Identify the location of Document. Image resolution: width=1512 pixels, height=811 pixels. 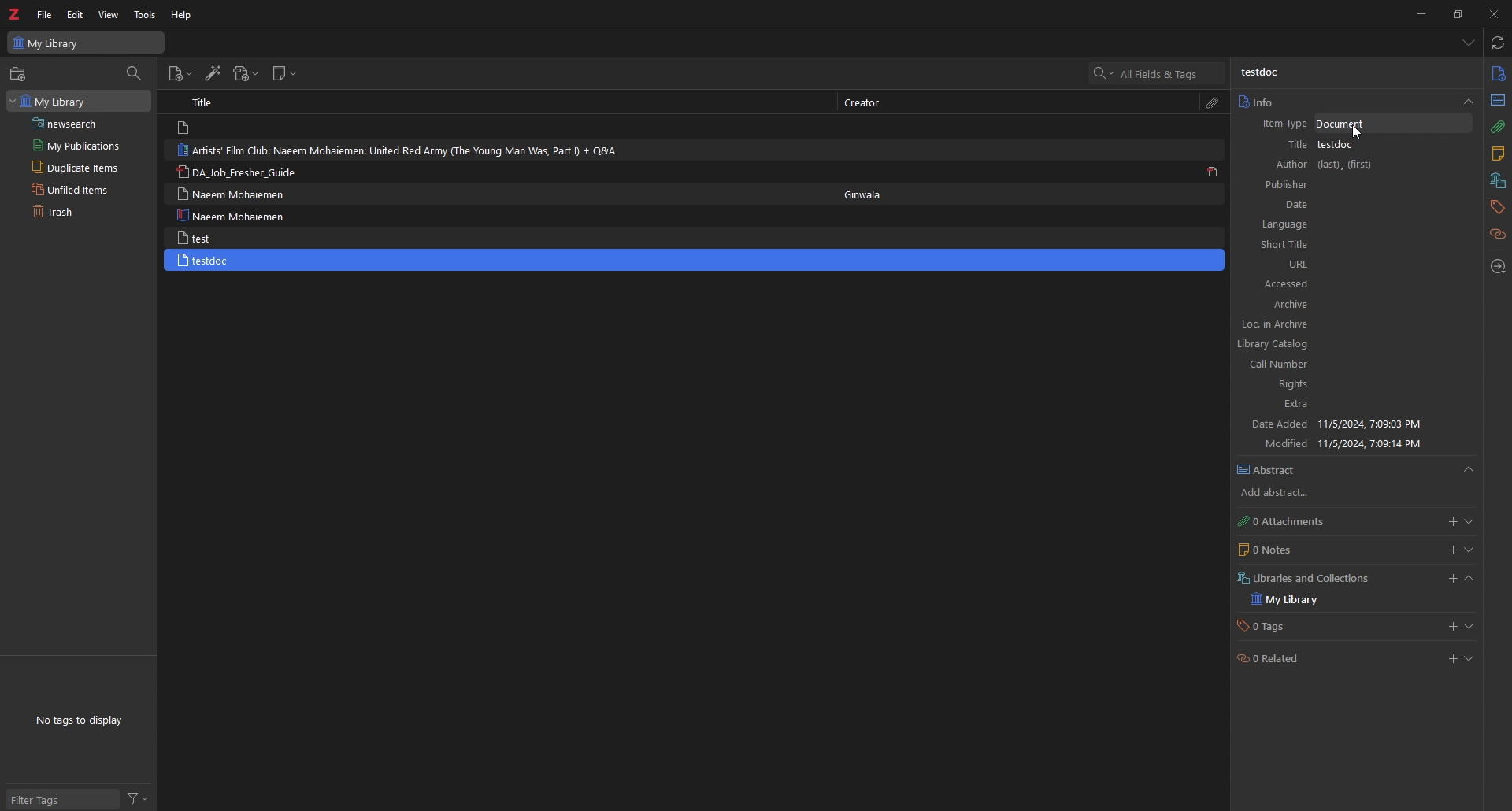
(1393, 124).